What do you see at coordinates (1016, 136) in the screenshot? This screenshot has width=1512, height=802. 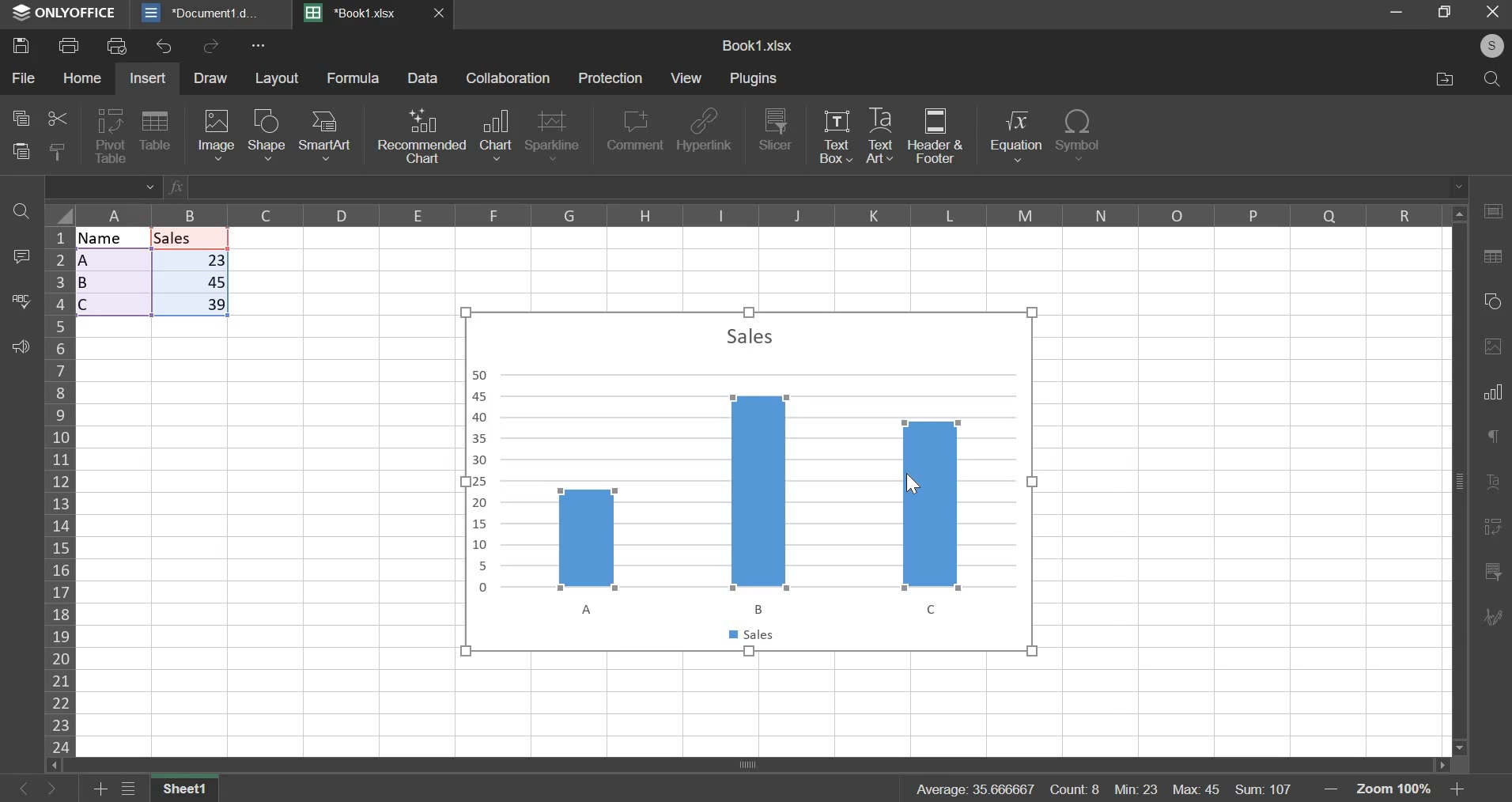 I see `equation` at bounding box center [1016, 136].